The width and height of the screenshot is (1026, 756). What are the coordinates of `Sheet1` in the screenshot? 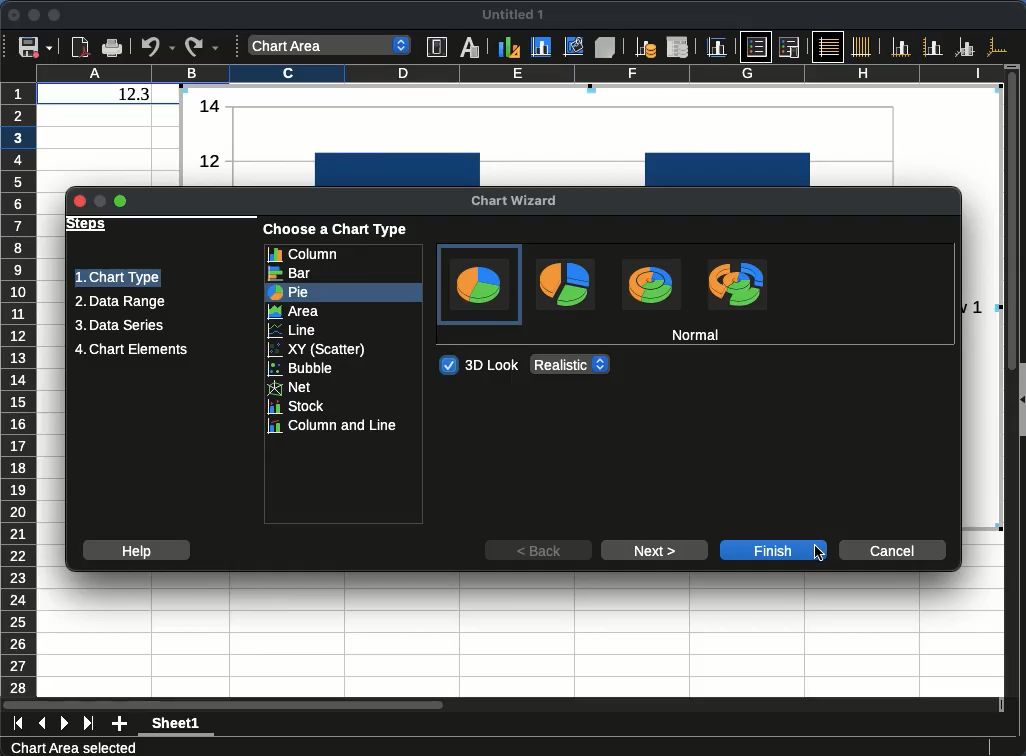 It's located at (176, 725).